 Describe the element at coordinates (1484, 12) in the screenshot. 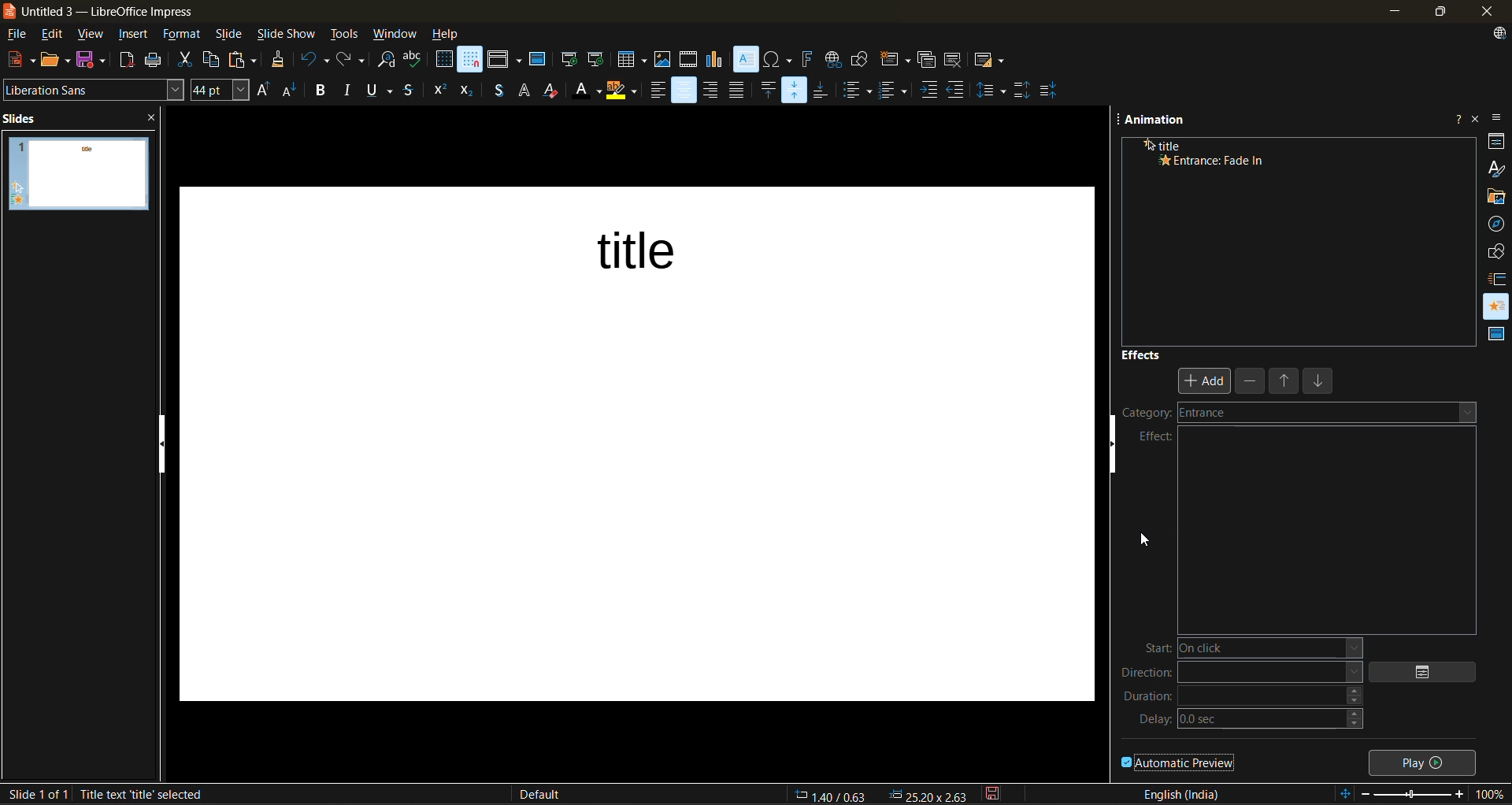

I see `close` at that location.